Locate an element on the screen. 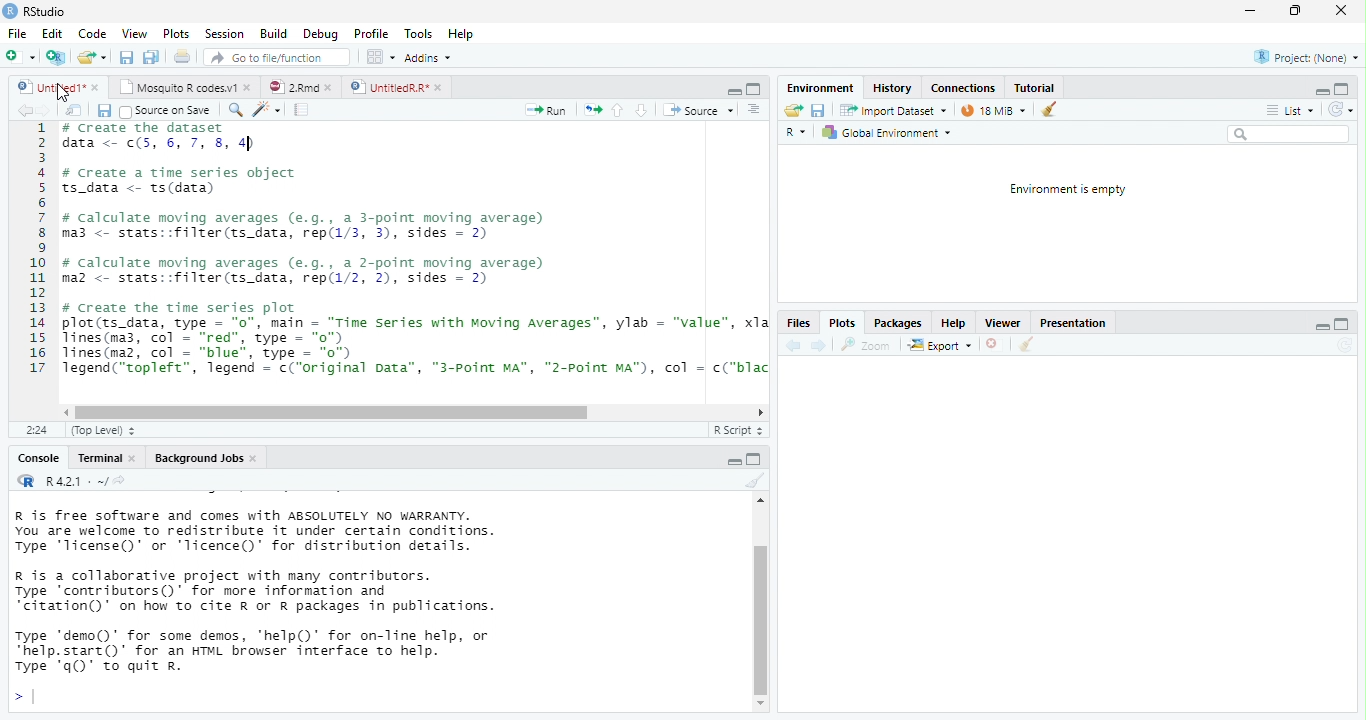  ‘Source is located at coordinates (700, 110).